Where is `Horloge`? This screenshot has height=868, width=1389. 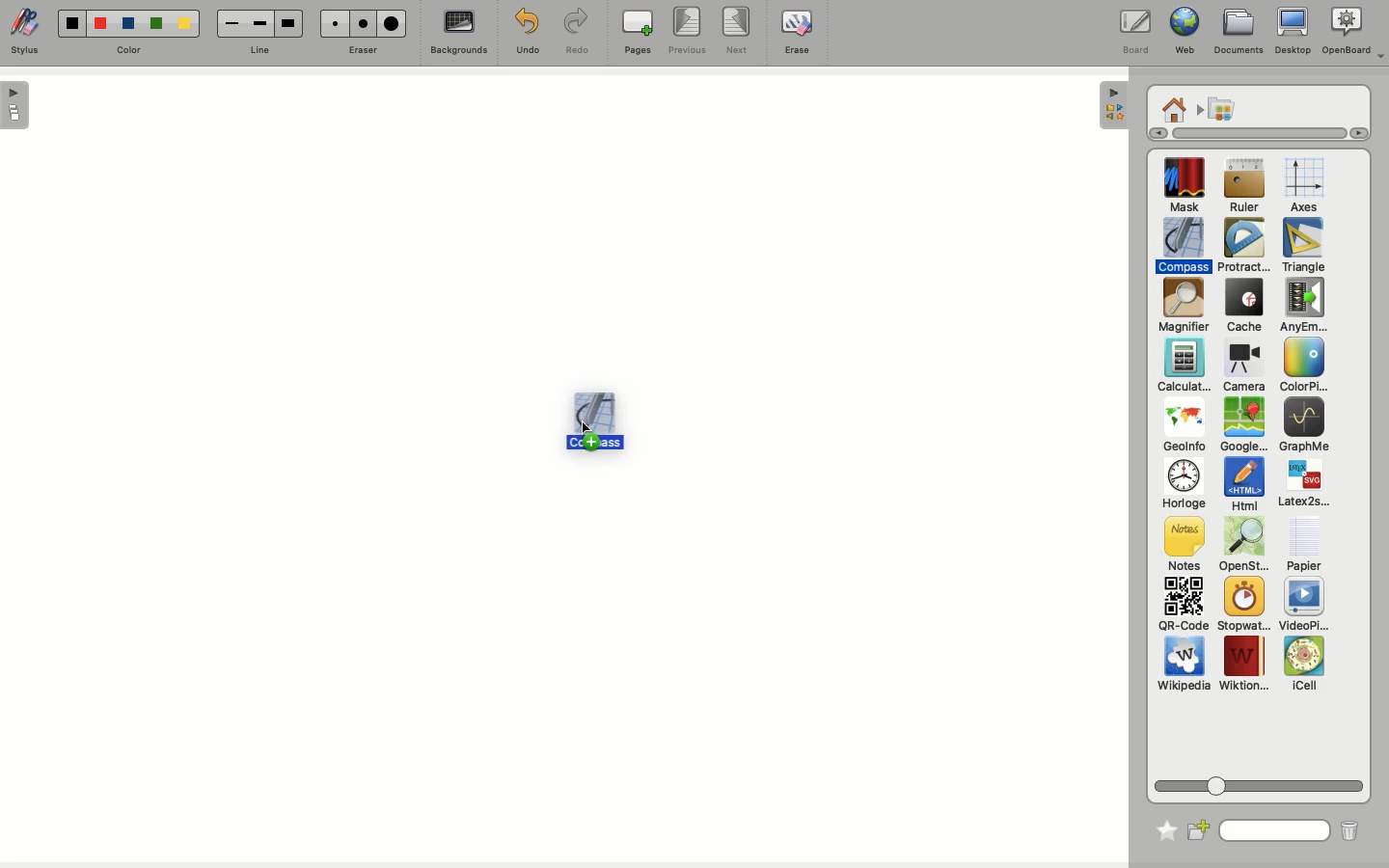 Horloge is located at coordinates (1183, 485).